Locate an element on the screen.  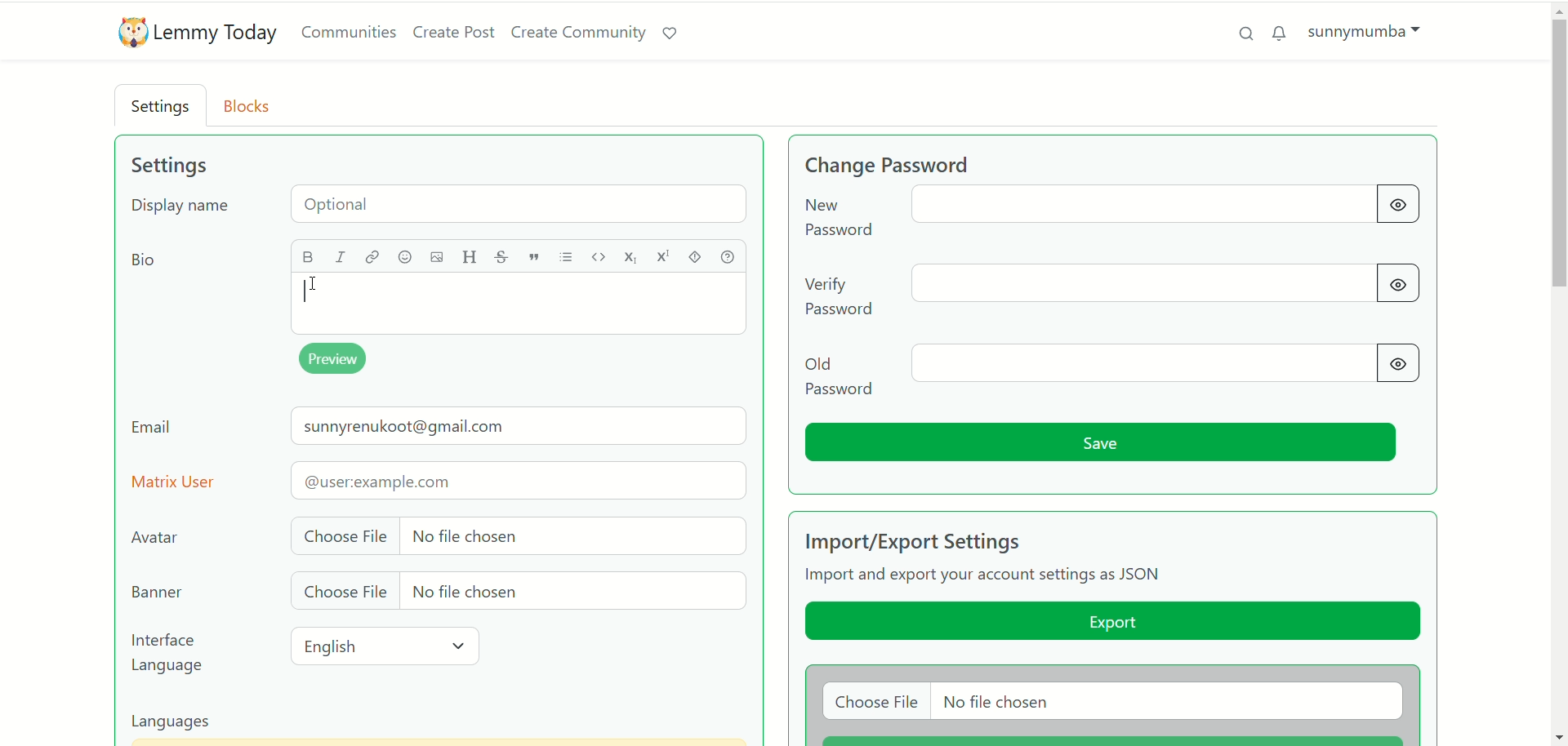
choose file is located at coordinates (516, 535).